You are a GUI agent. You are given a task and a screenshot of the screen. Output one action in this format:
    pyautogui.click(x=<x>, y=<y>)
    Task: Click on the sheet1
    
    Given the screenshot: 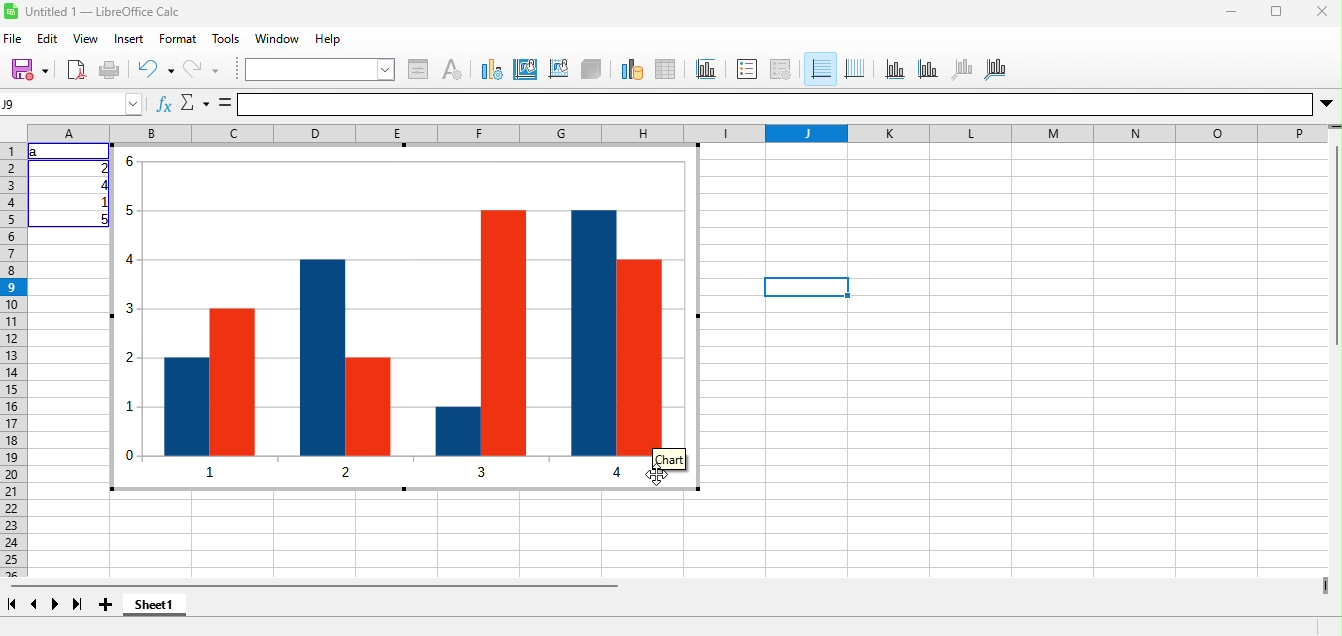 What is the action you would take?
    pyautogui.click(x=154, y=605)
    